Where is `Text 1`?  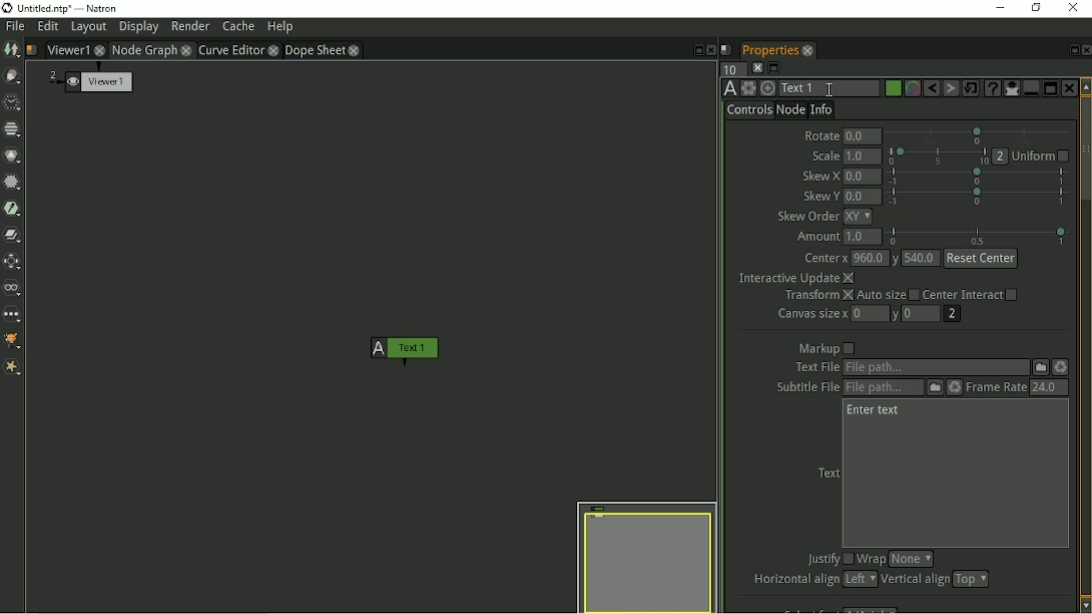
Text 1 is located at coordinates (407, 348).